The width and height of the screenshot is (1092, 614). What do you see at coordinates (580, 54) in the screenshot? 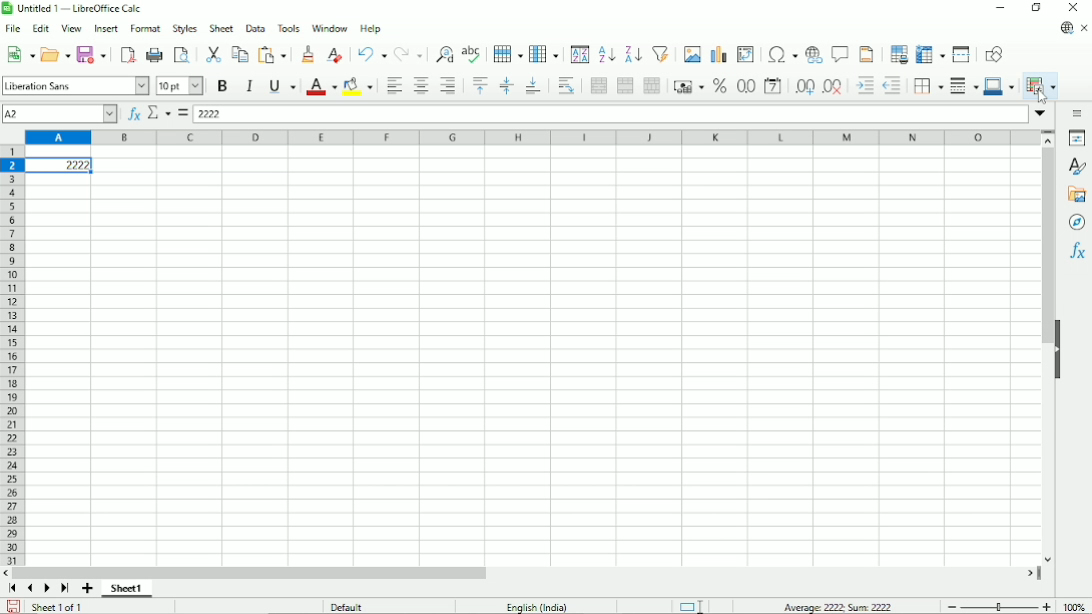
I see `Sort` at bounding box center [580, 54].